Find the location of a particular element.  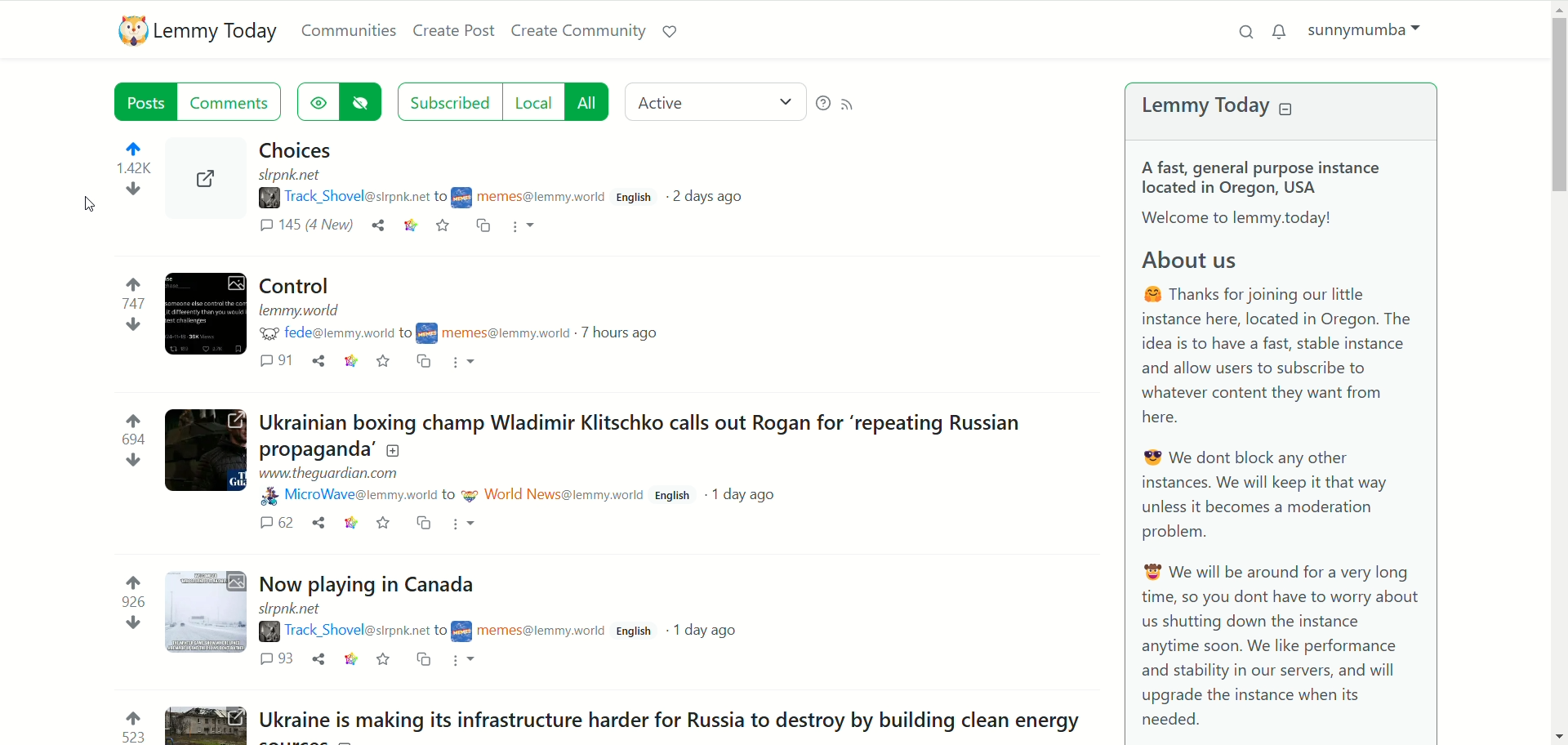

username is located at coordinates (541, 199).